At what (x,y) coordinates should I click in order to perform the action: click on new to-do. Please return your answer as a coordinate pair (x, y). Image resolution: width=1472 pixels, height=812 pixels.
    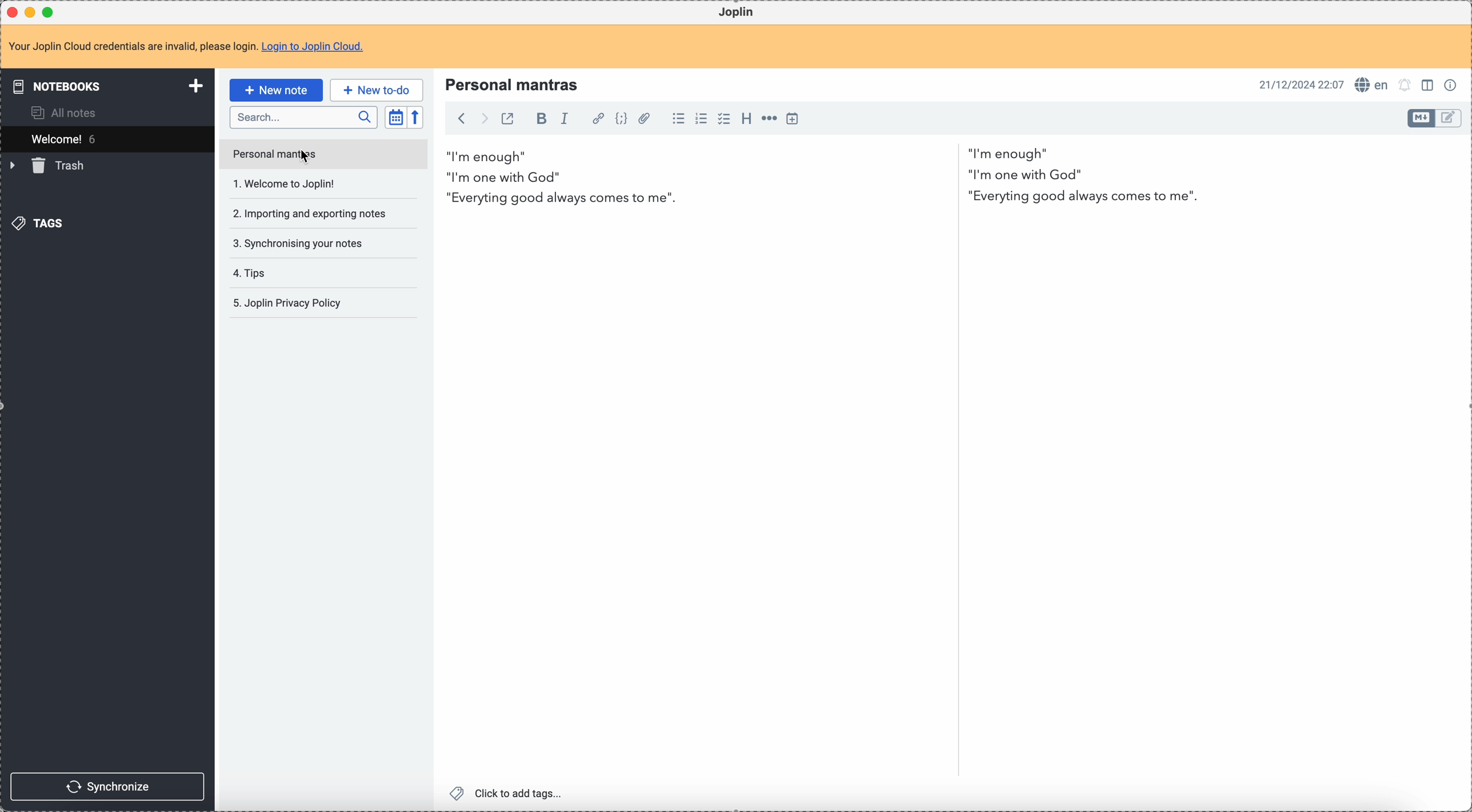
    Looking at the image, I should click on (375, 87).